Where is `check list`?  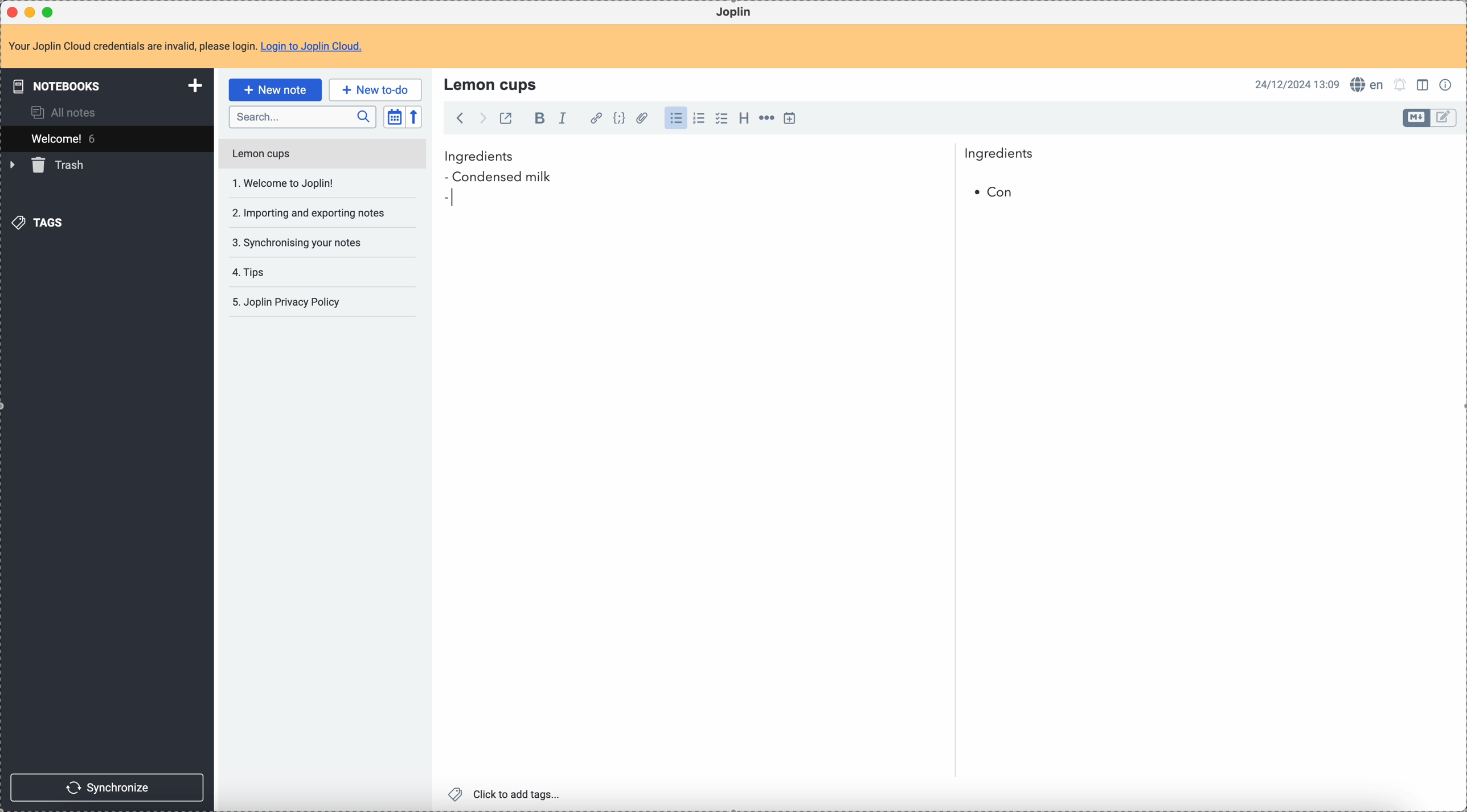
check list is located at coordinates (721, 118).